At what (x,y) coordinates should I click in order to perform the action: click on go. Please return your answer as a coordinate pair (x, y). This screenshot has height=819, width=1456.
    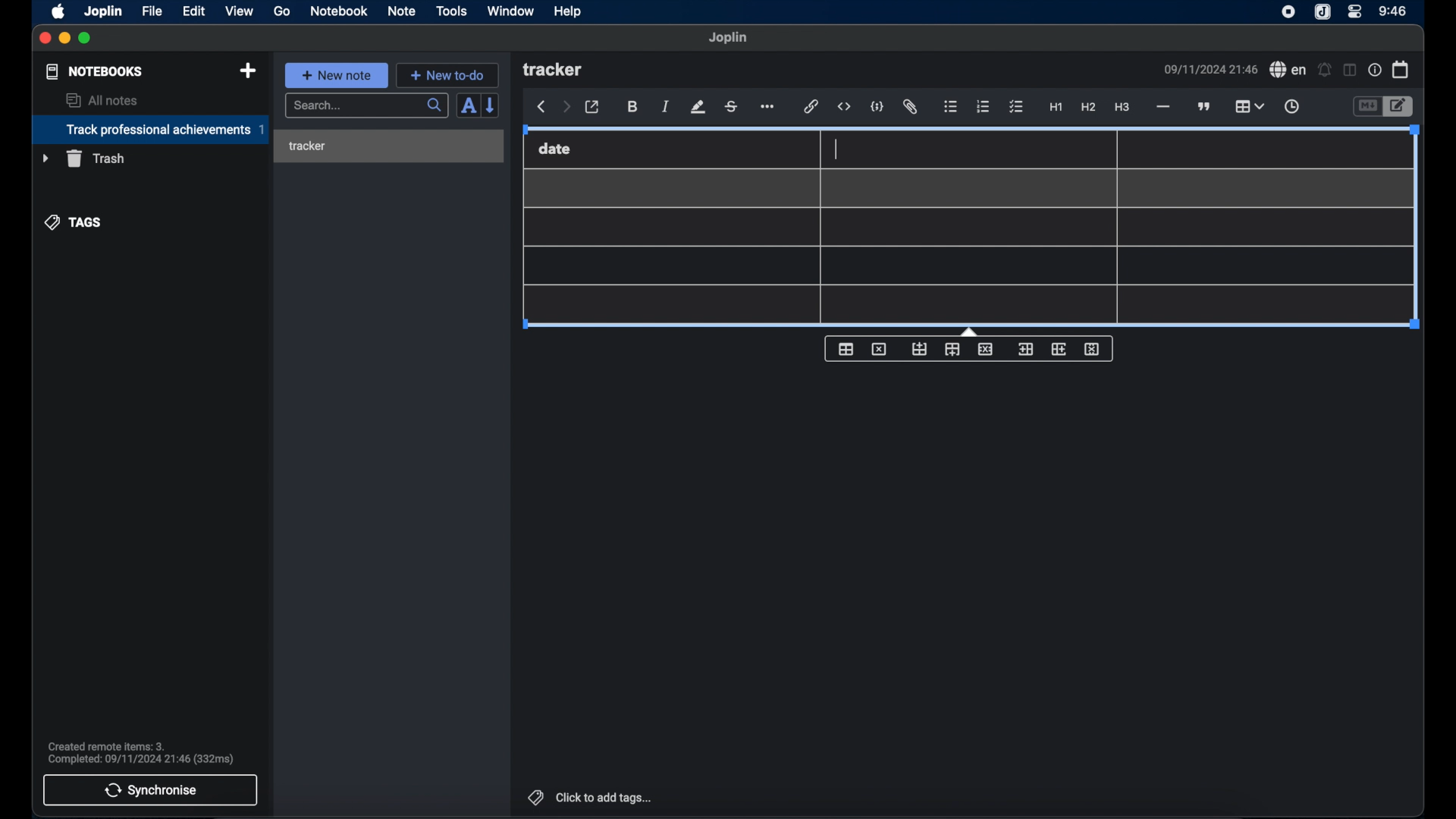
    Looking at the image, I should click on (283, 11).